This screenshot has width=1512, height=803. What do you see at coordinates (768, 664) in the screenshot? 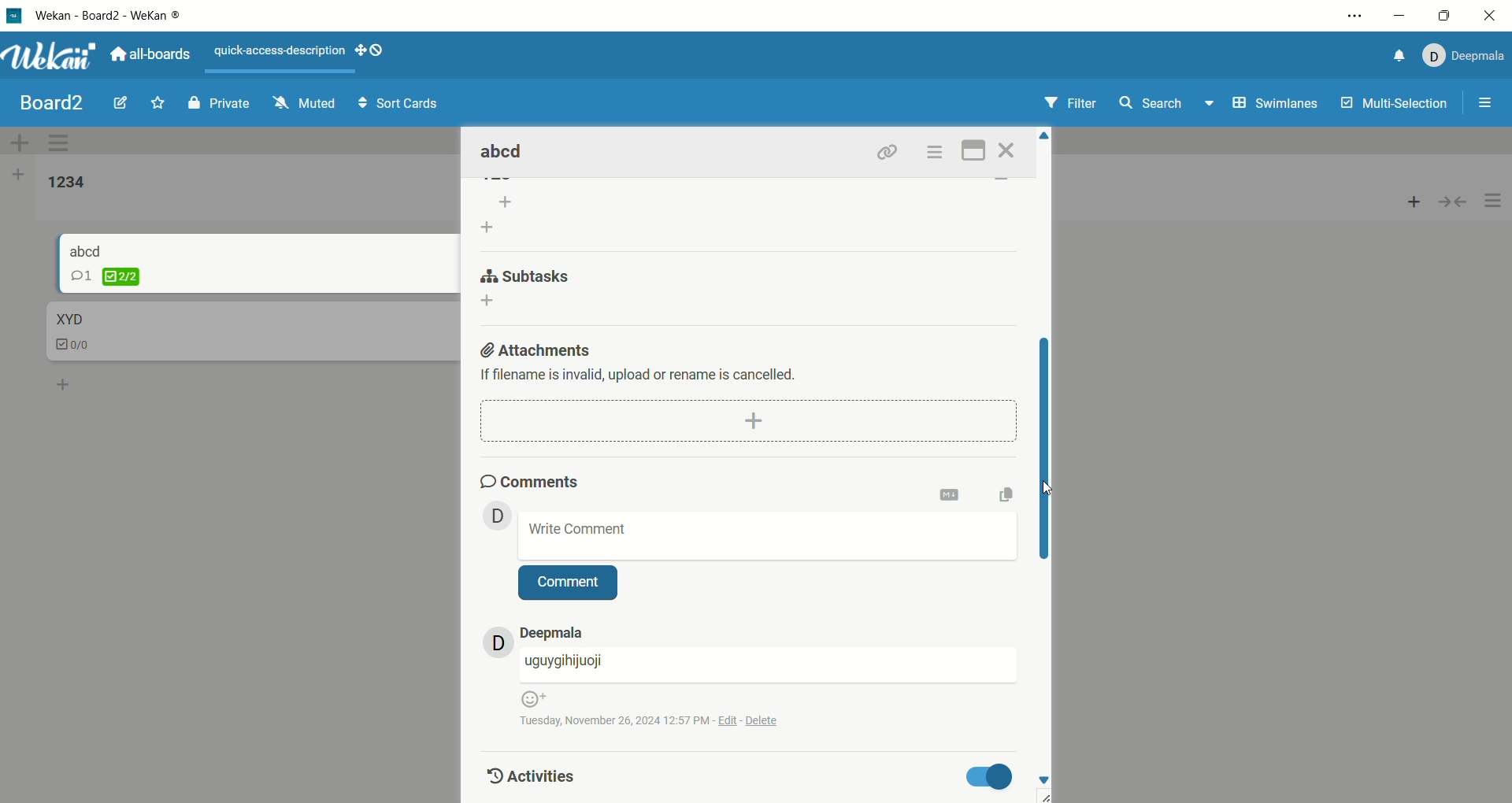
I see `username` at bounding box center [768, 664].